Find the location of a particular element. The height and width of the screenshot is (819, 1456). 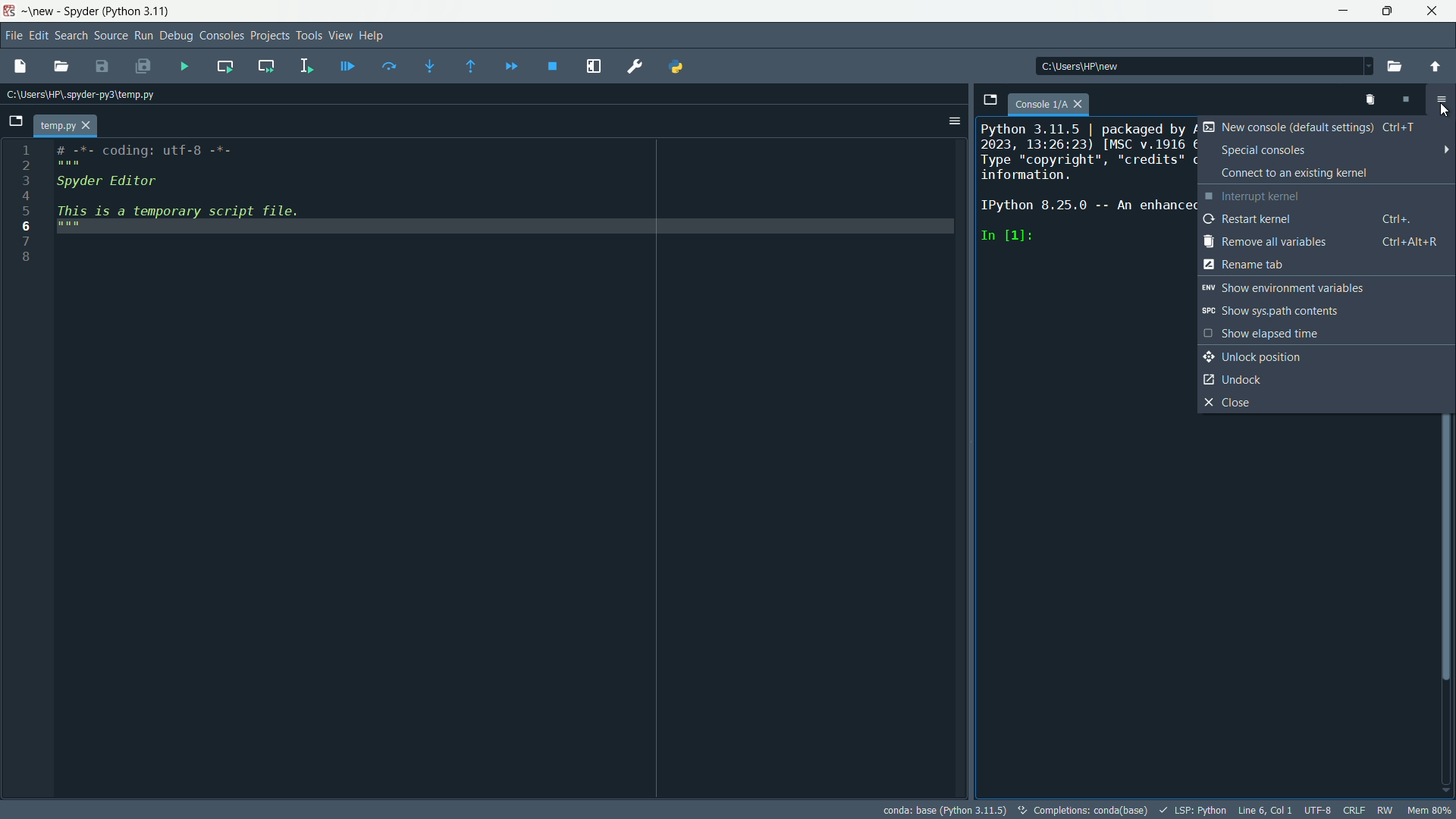

PYTHONPATH manager is located at coordinates (678, 66).